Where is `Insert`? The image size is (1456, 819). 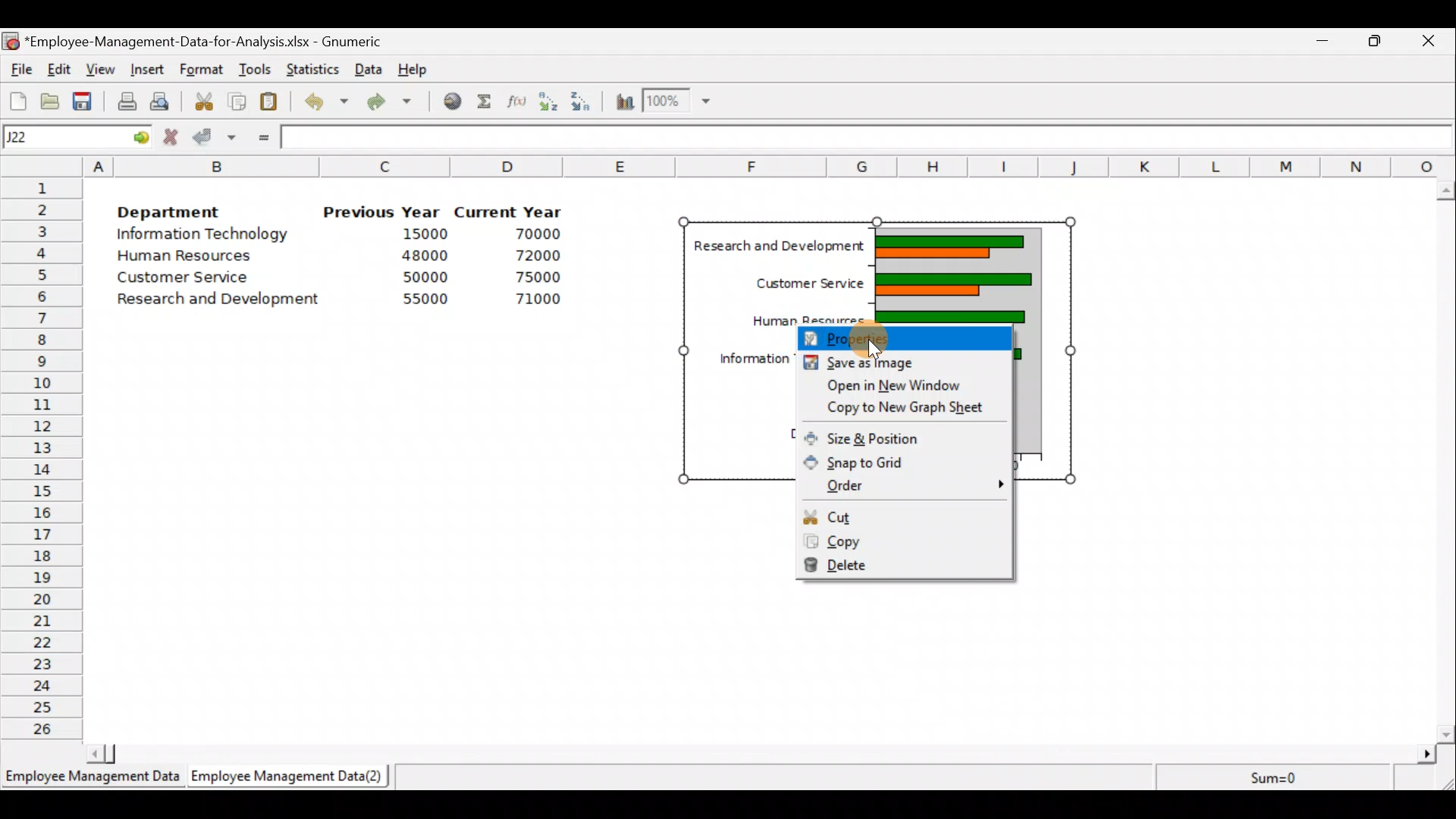 Insert is located at coordinates (150, 67).